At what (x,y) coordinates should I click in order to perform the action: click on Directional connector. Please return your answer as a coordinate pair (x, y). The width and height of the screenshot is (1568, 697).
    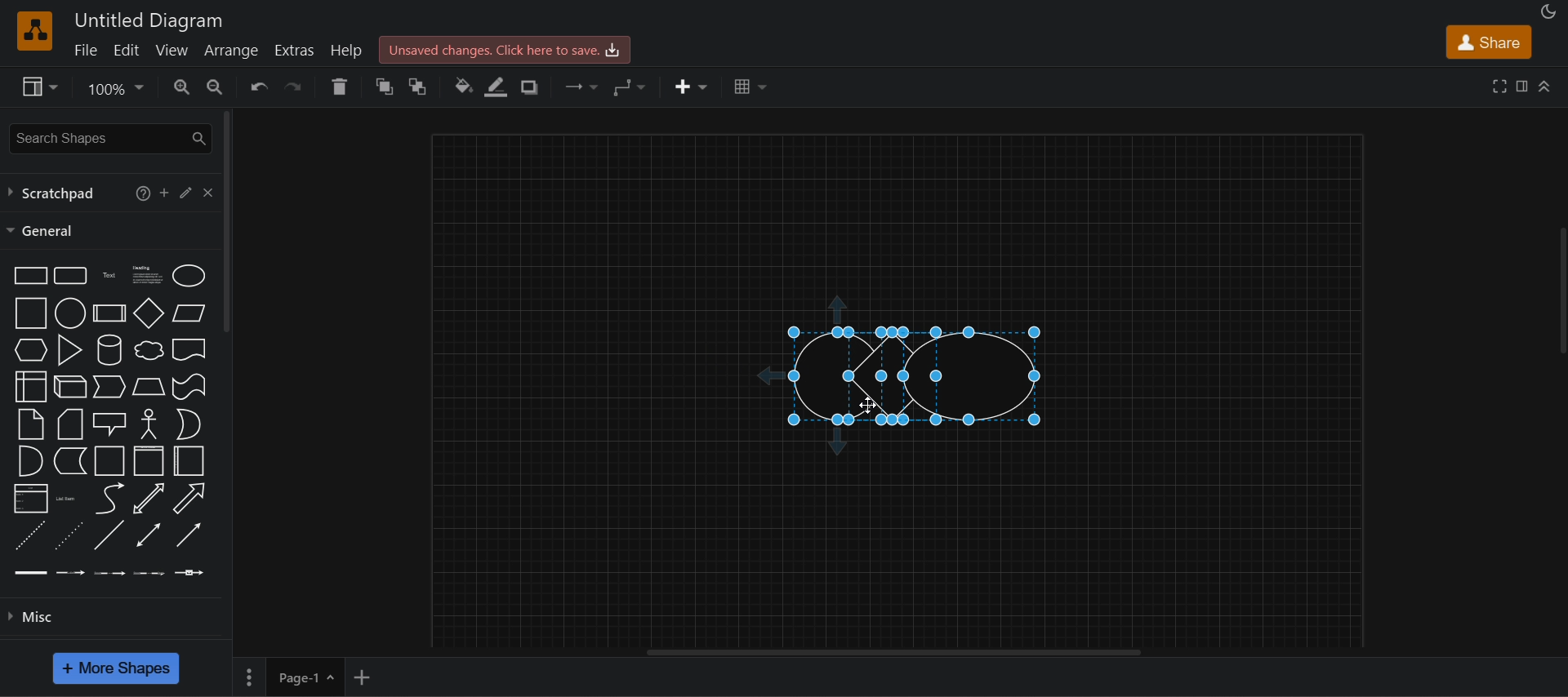
    Looking at the image, I should click on (189, 535).